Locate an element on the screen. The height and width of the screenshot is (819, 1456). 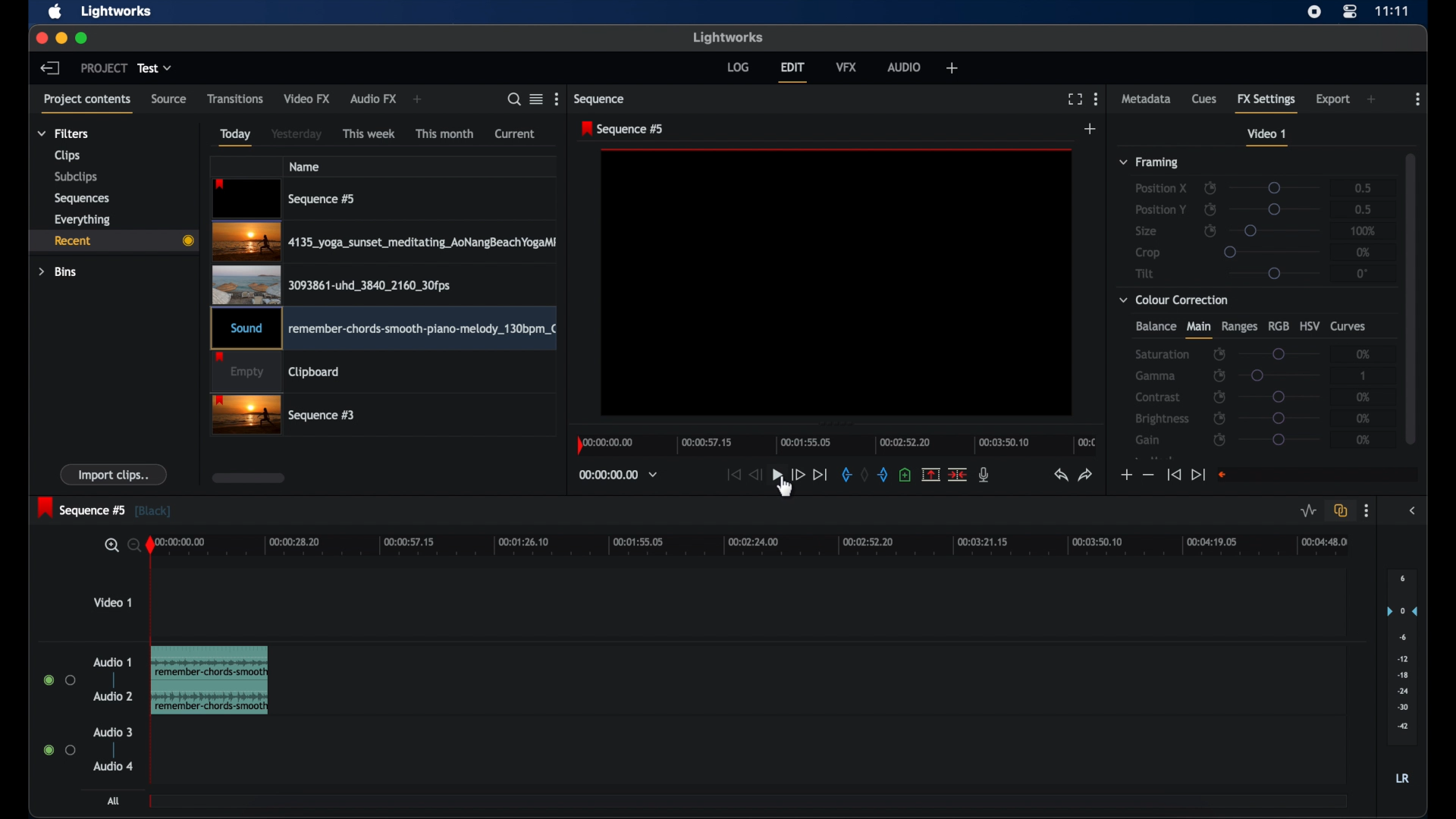
out mark is located at coordinates (882, 475).